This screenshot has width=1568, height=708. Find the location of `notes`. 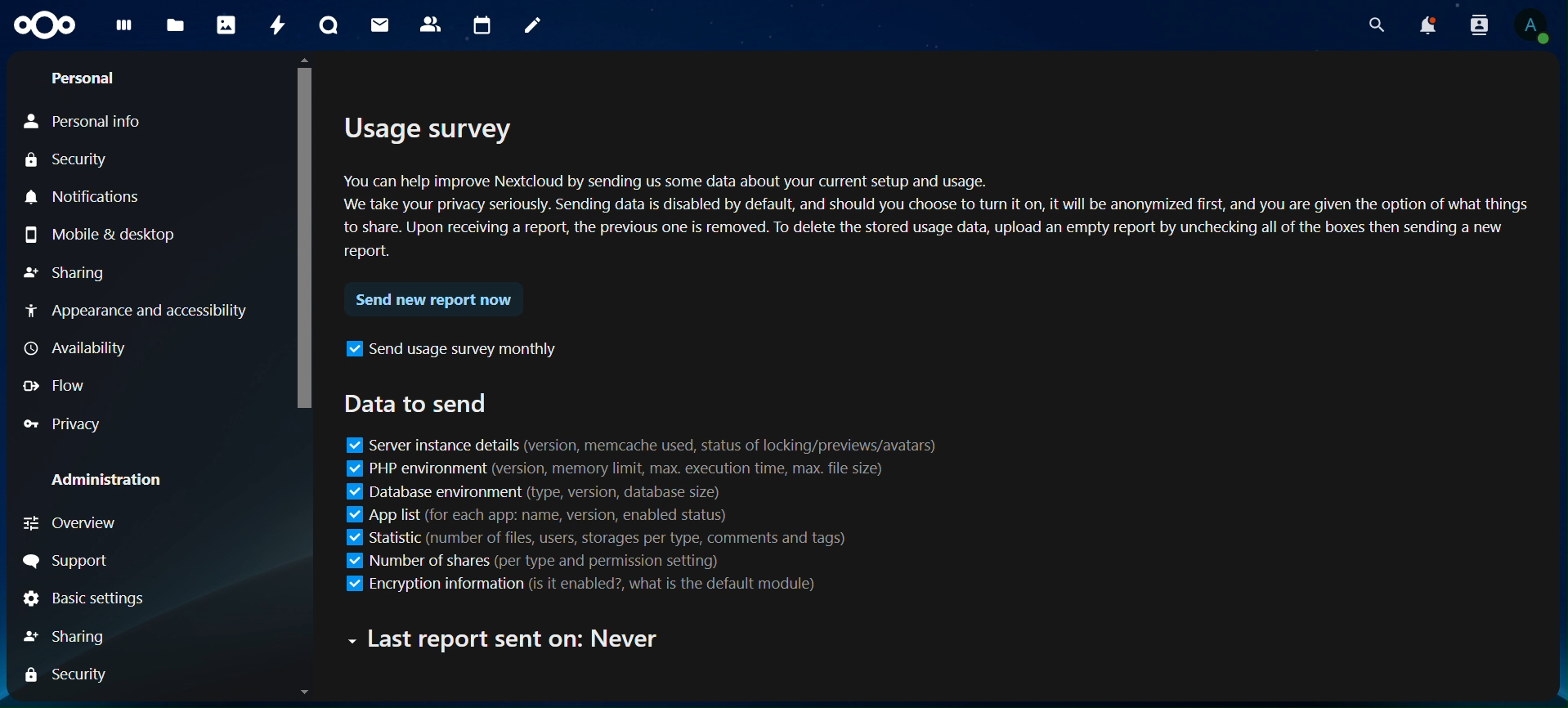

notes is located at coordinates (531, 25).